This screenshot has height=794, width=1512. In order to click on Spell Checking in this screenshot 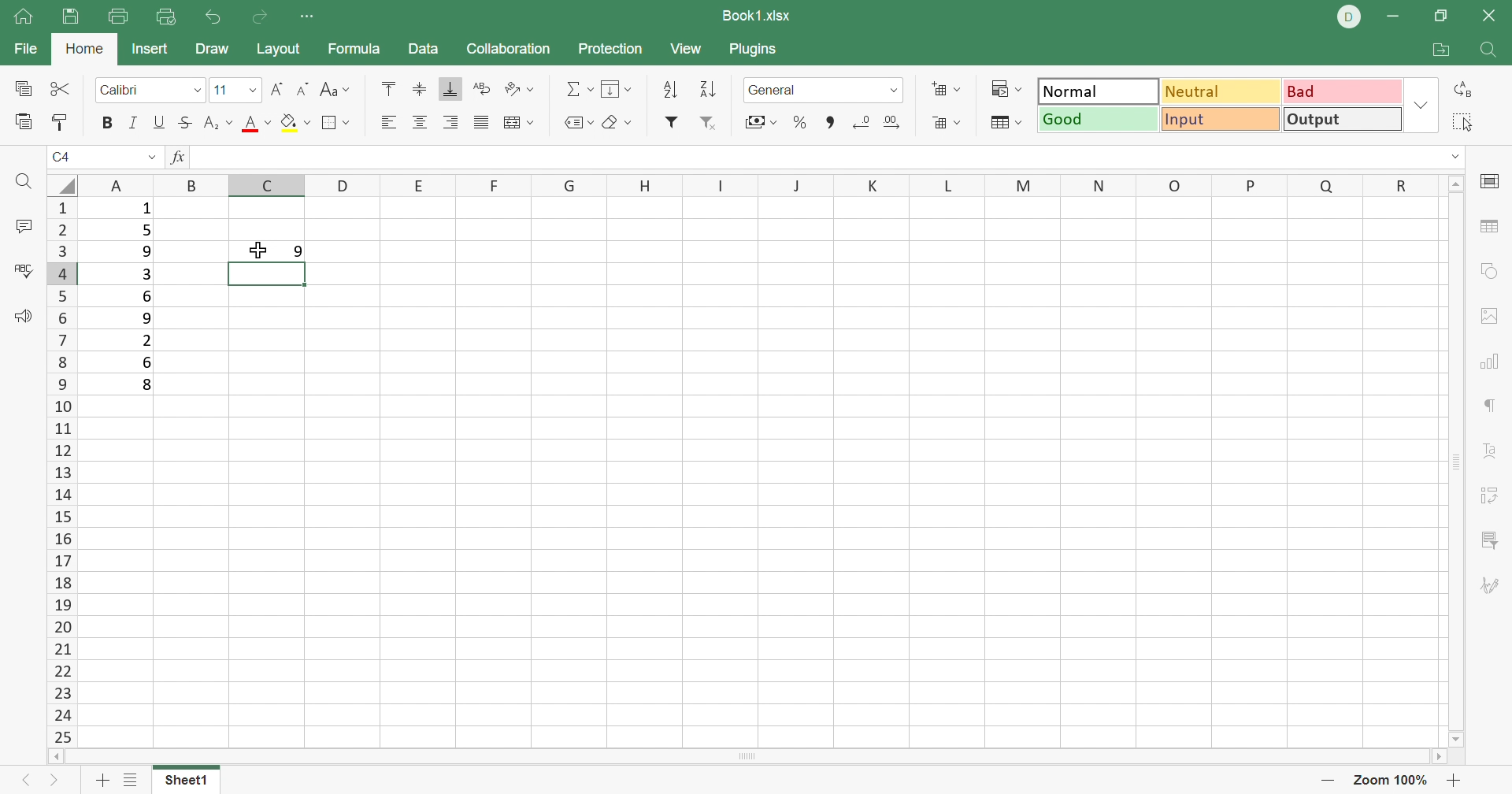, I will do `click(24, 273)`.